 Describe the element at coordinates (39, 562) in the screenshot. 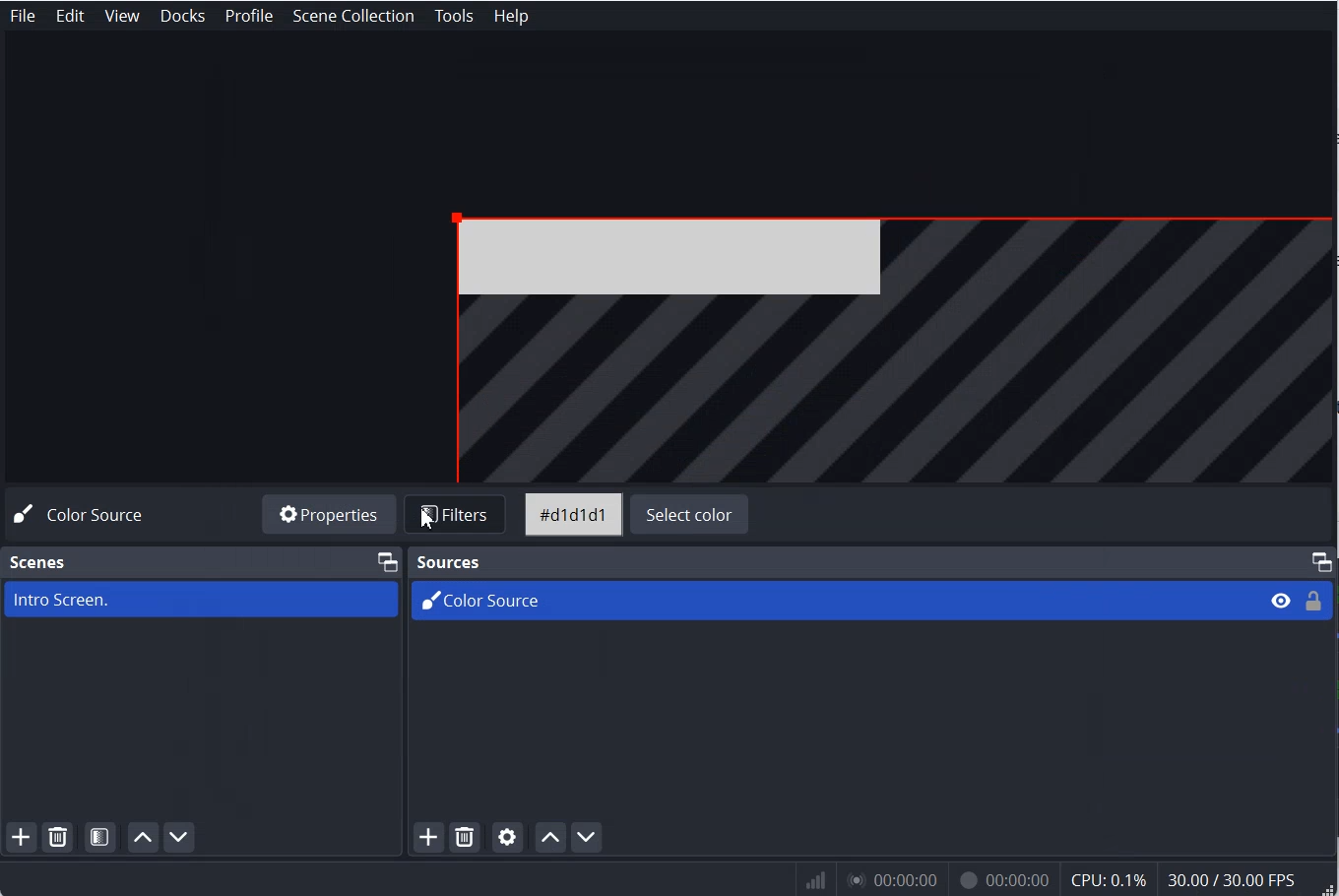

I see `Scene` at that location.